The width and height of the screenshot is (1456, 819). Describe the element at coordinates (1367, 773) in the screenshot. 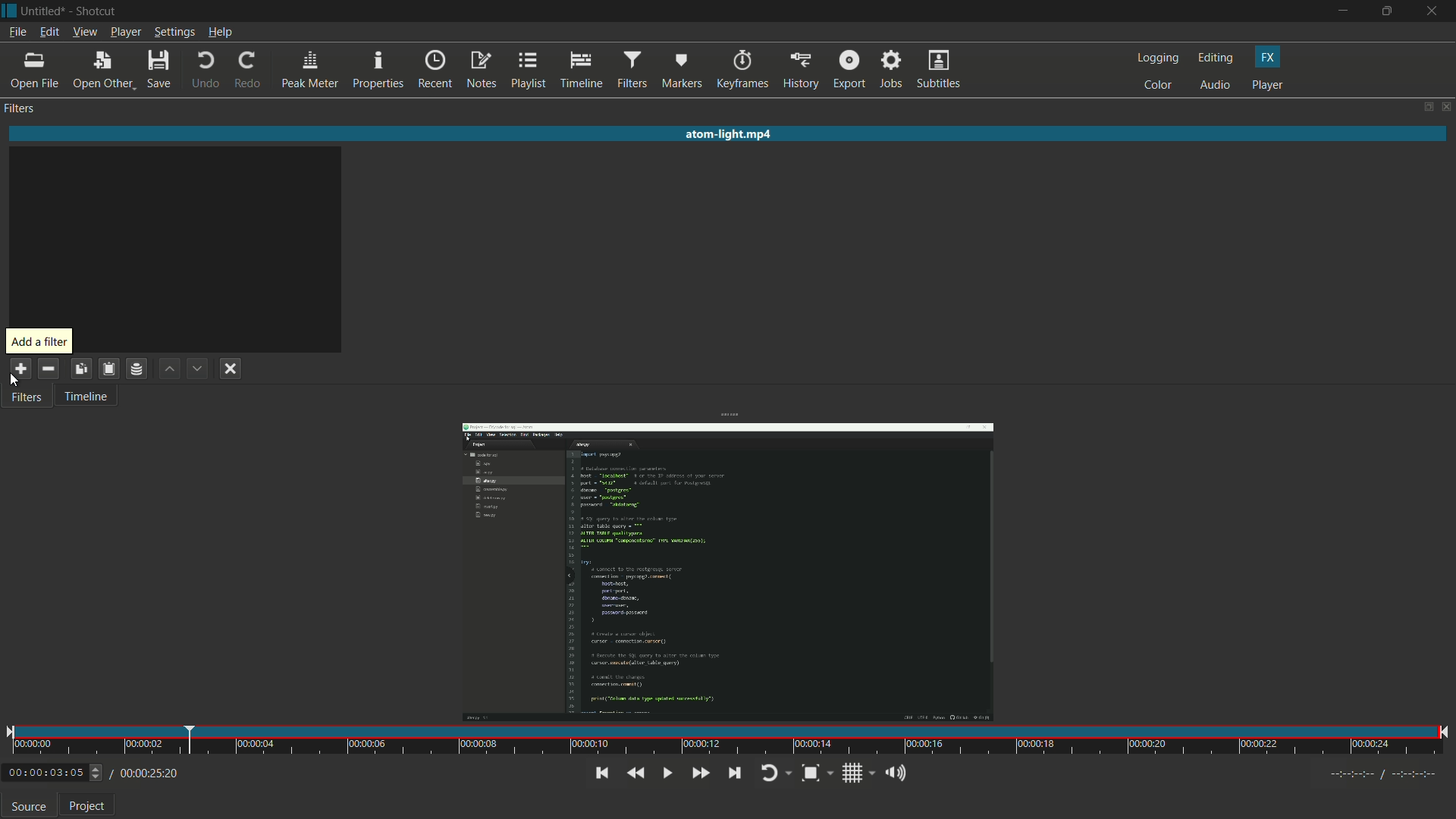

I see `Timecodes` at that location.